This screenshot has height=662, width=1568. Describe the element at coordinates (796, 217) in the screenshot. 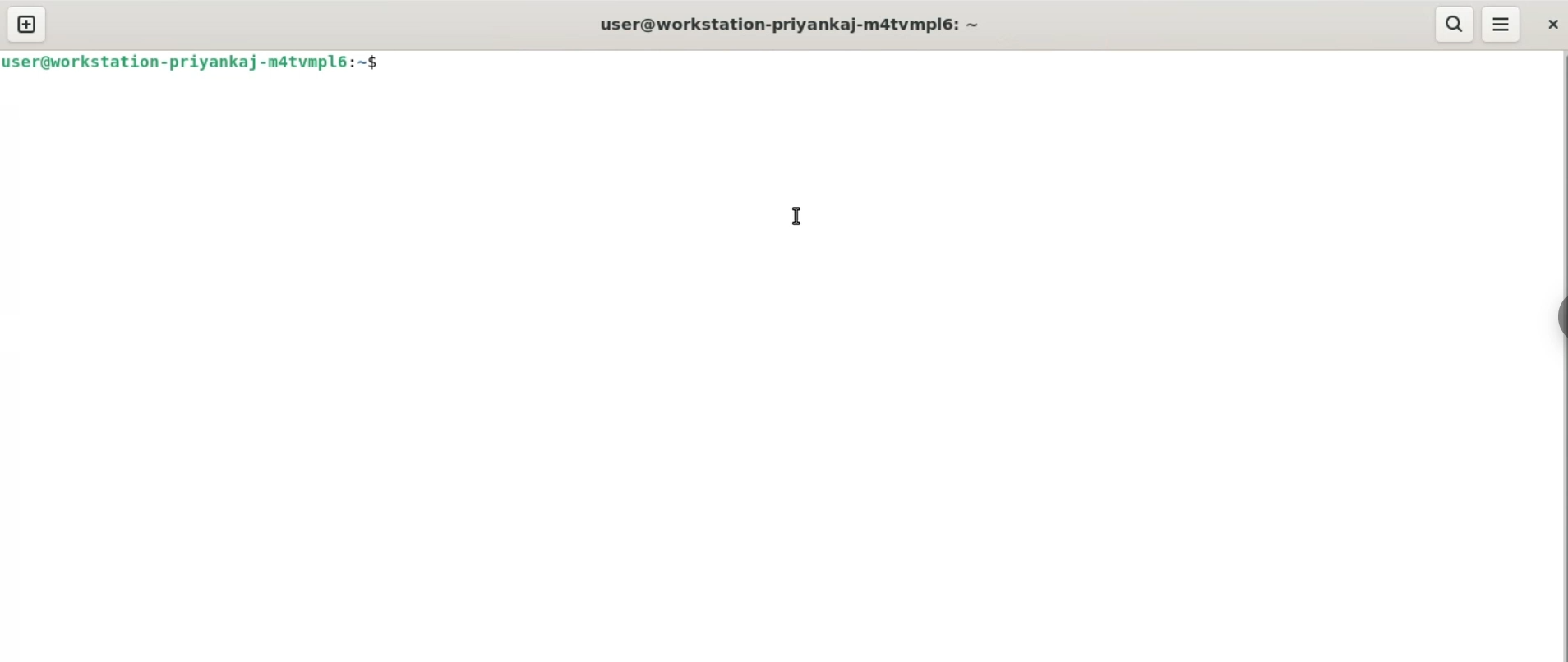

I see `cursor` at that location.